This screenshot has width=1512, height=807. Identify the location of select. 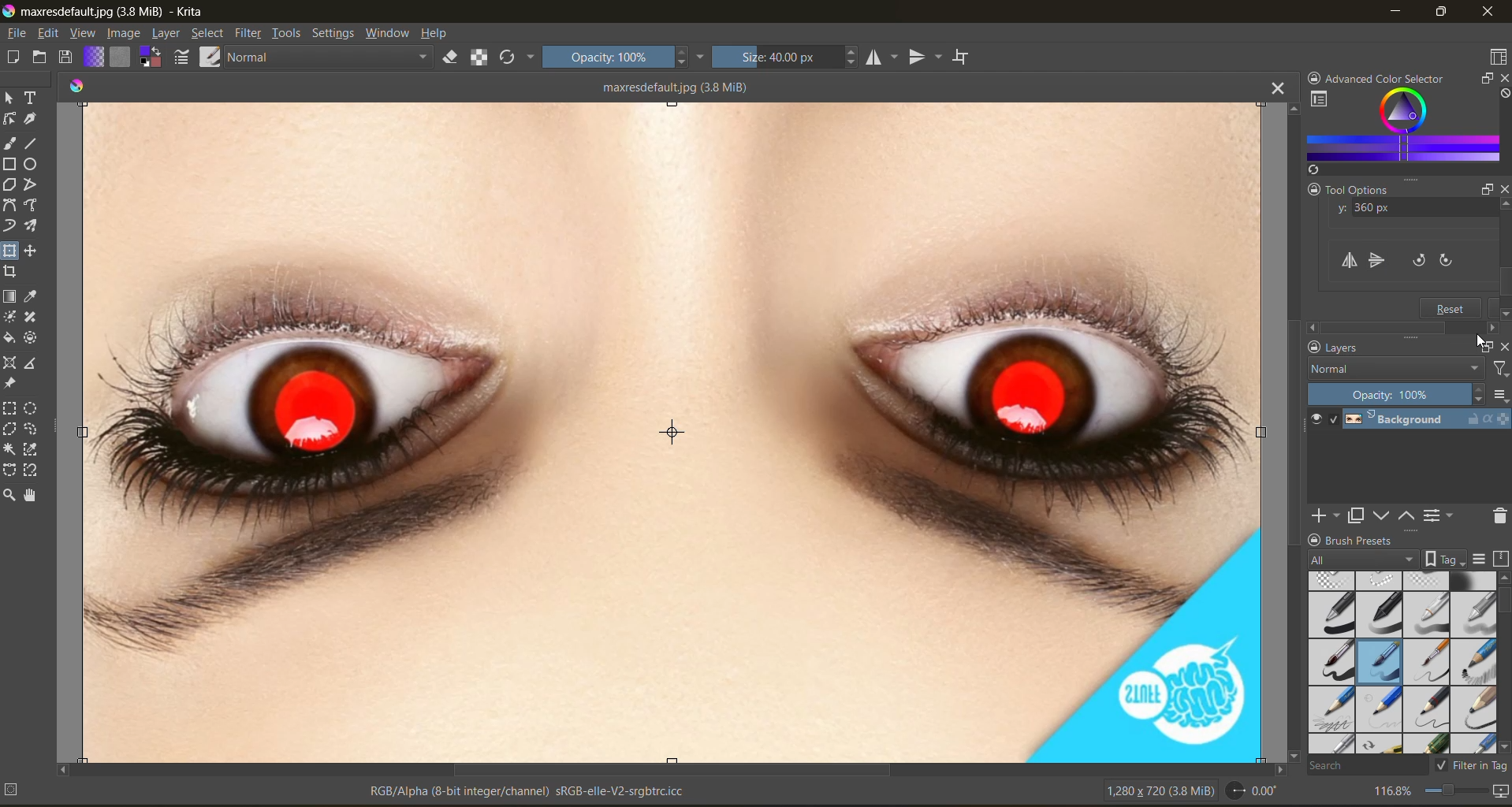
(209, 33).